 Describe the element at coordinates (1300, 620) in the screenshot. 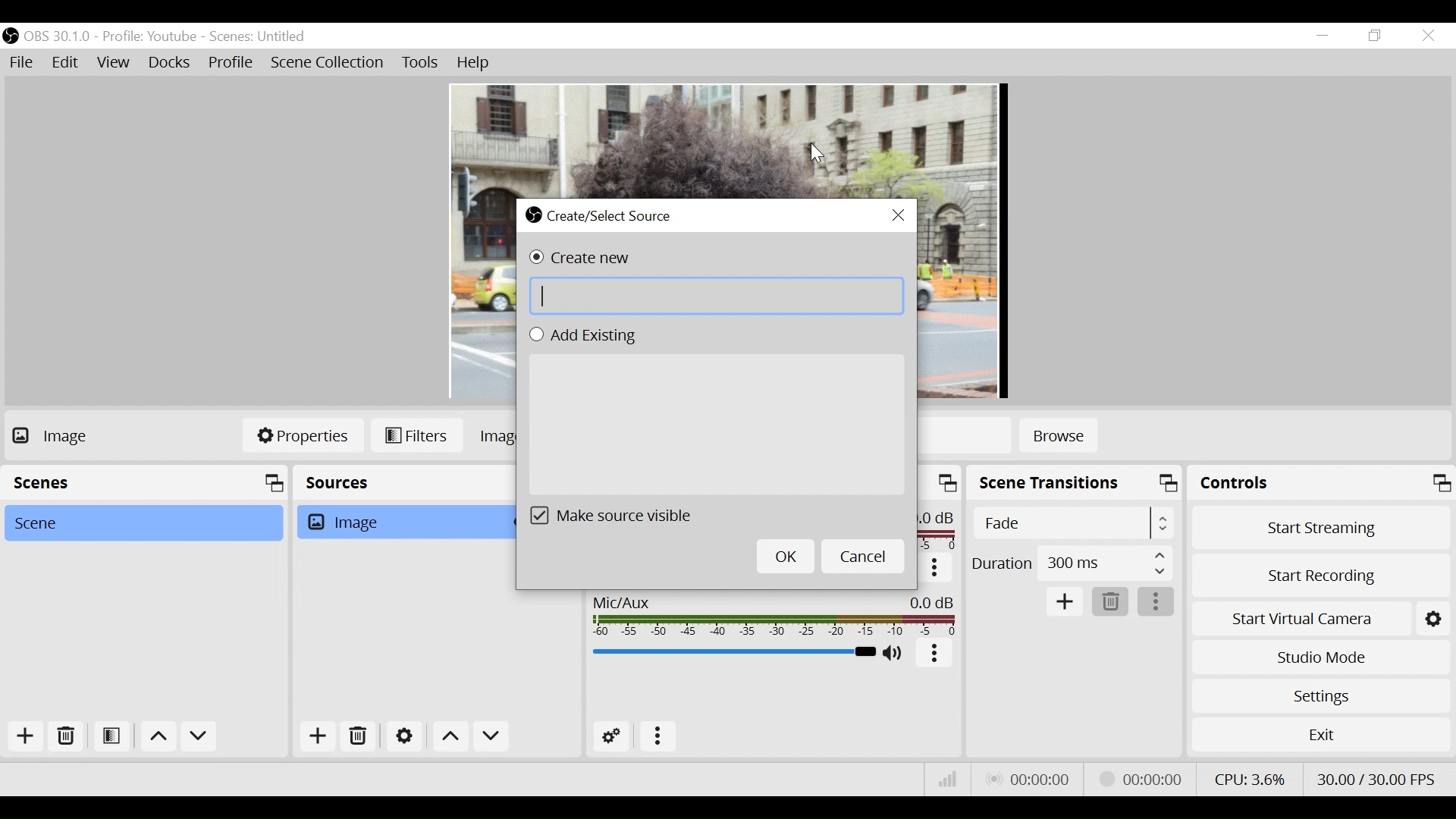

I see `Start Virtual Camera` at that location.